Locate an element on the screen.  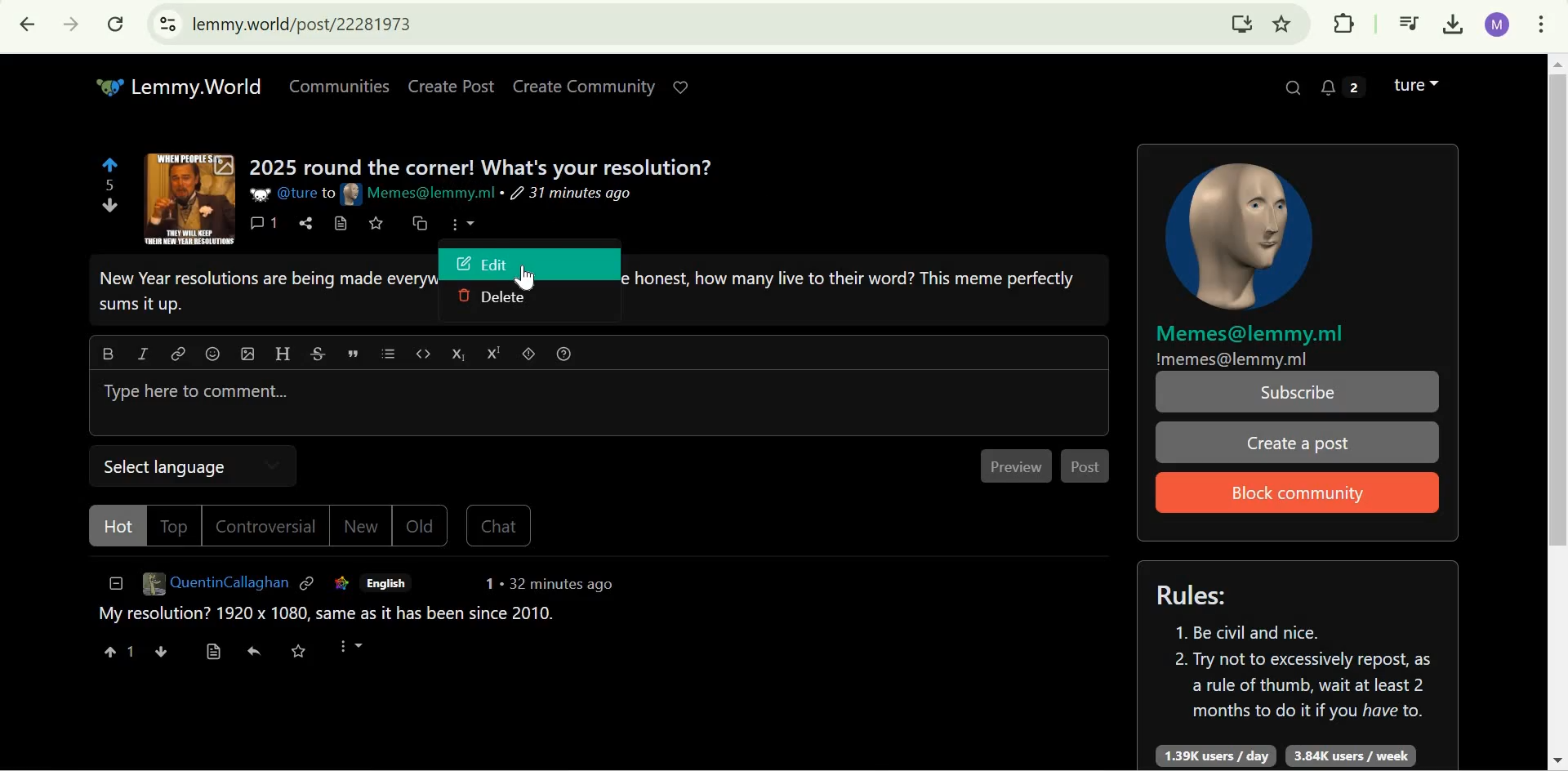
2. Try not to excessively repost, as
a rule of thumb, wait at least 2
months to do it if you have to. is located at coordinates (1303, 687).